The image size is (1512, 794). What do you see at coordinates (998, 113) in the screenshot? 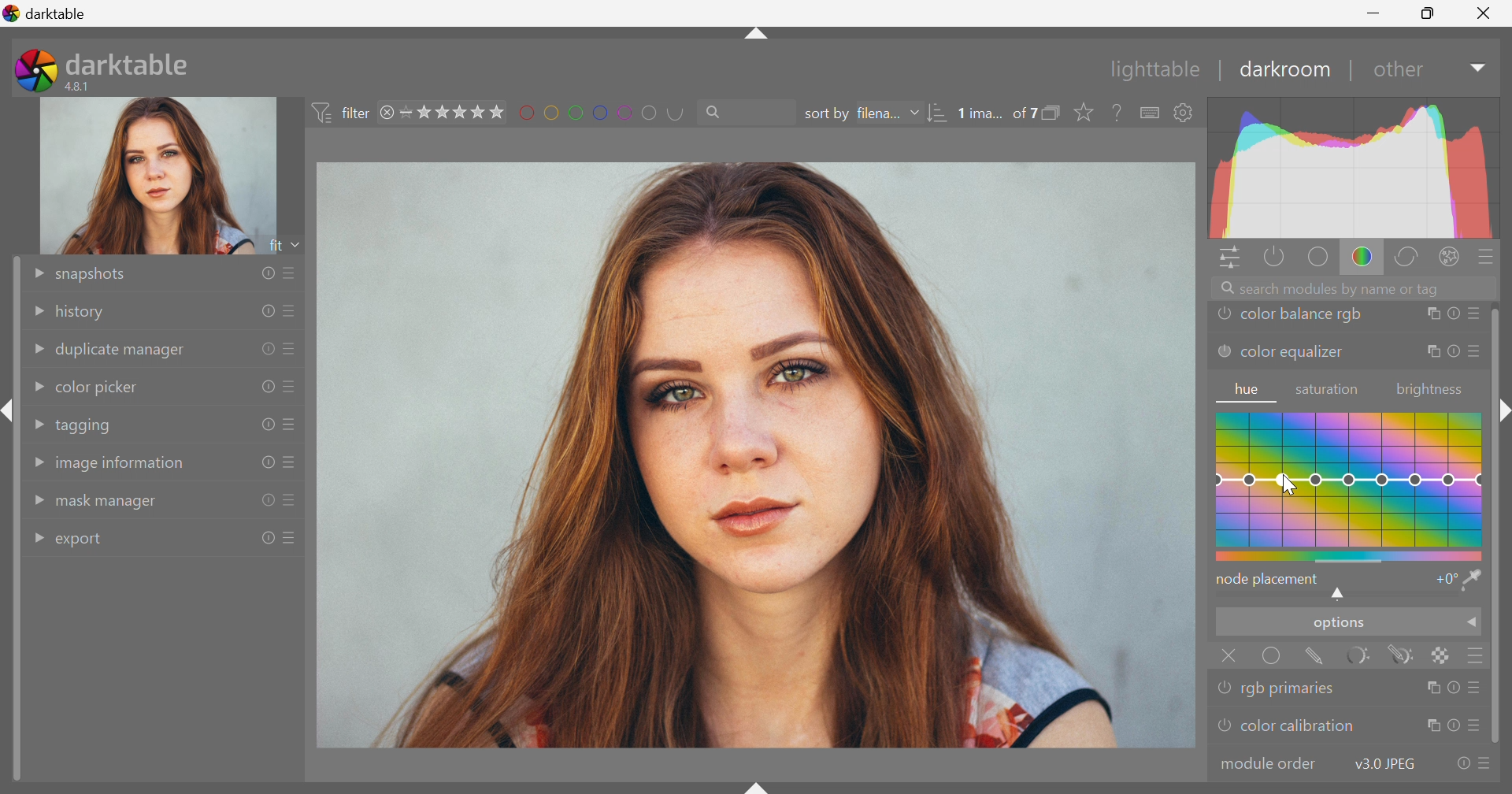
I see `1 ima... of 7` at bounding box center [998, 113].